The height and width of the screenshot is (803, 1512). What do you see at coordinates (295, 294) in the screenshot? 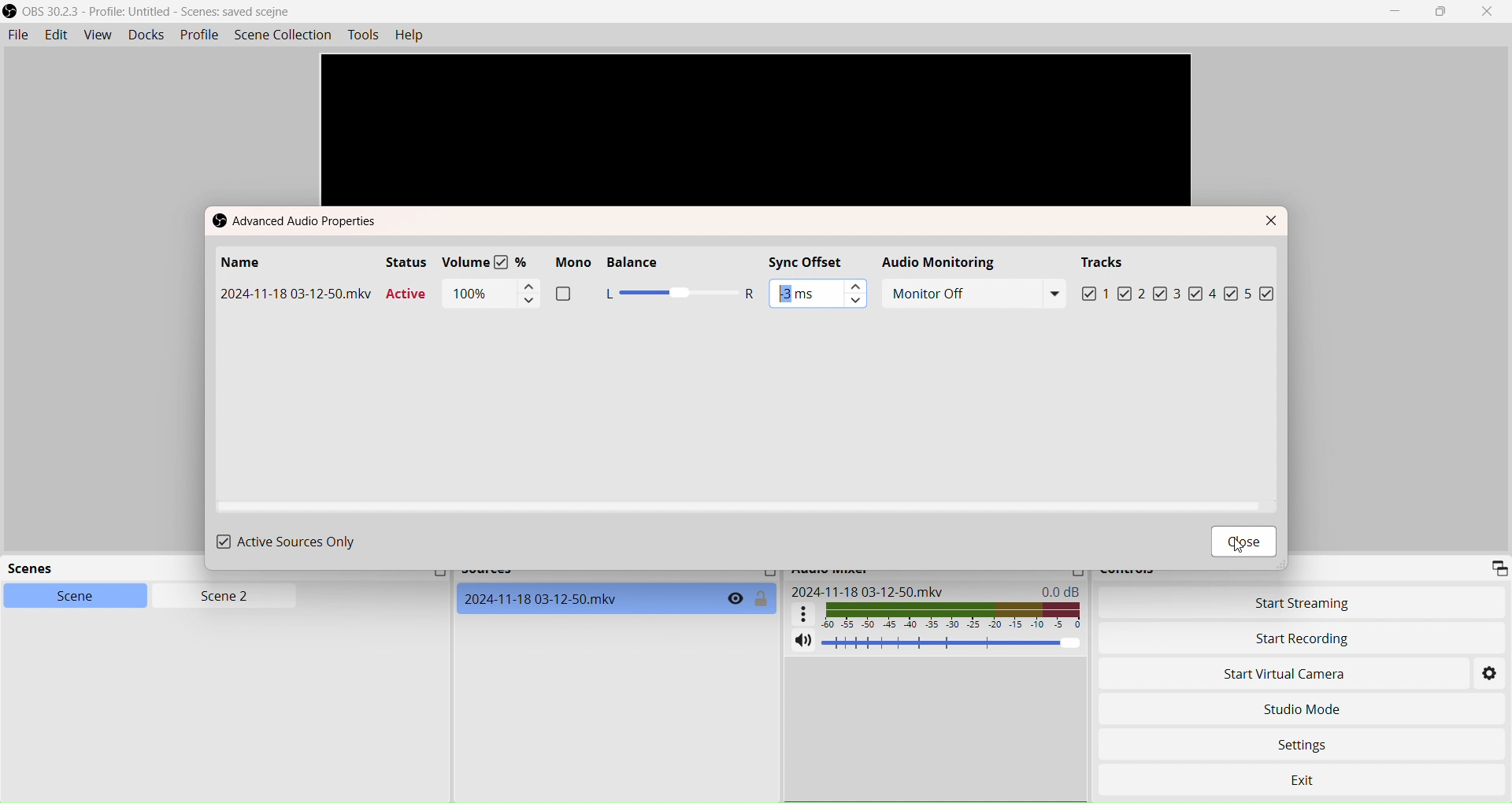
I see `Name` at bounding box center [295, 294].